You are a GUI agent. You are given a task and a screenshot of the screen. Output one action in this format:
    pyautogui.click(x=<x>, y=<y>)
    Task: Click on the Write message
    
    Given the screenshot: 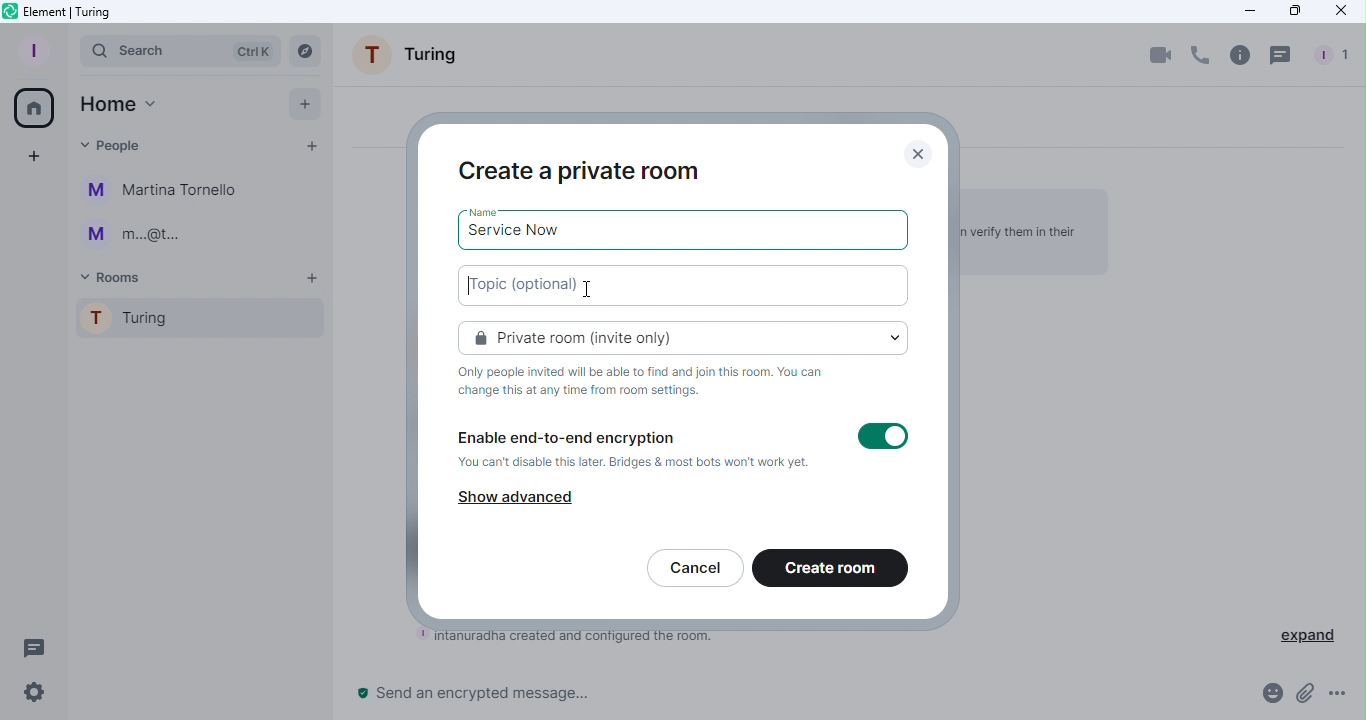 What is the action you would take?
    pyautogui.click(x=793, y=697)
    